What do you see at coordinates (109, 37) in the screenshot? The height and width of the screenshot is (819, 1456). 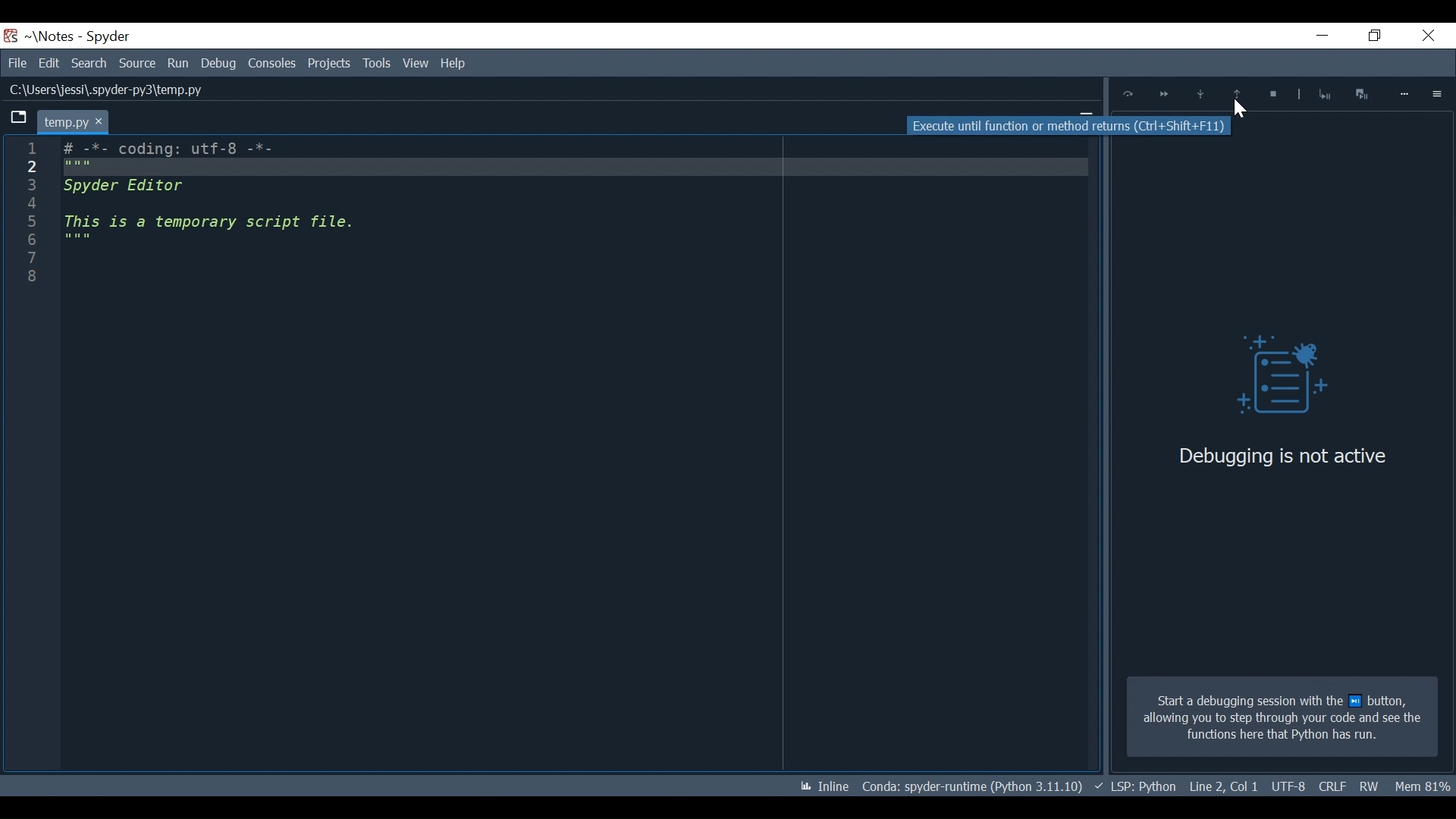 I see `Spyder ` at bounding box center [109, 37].